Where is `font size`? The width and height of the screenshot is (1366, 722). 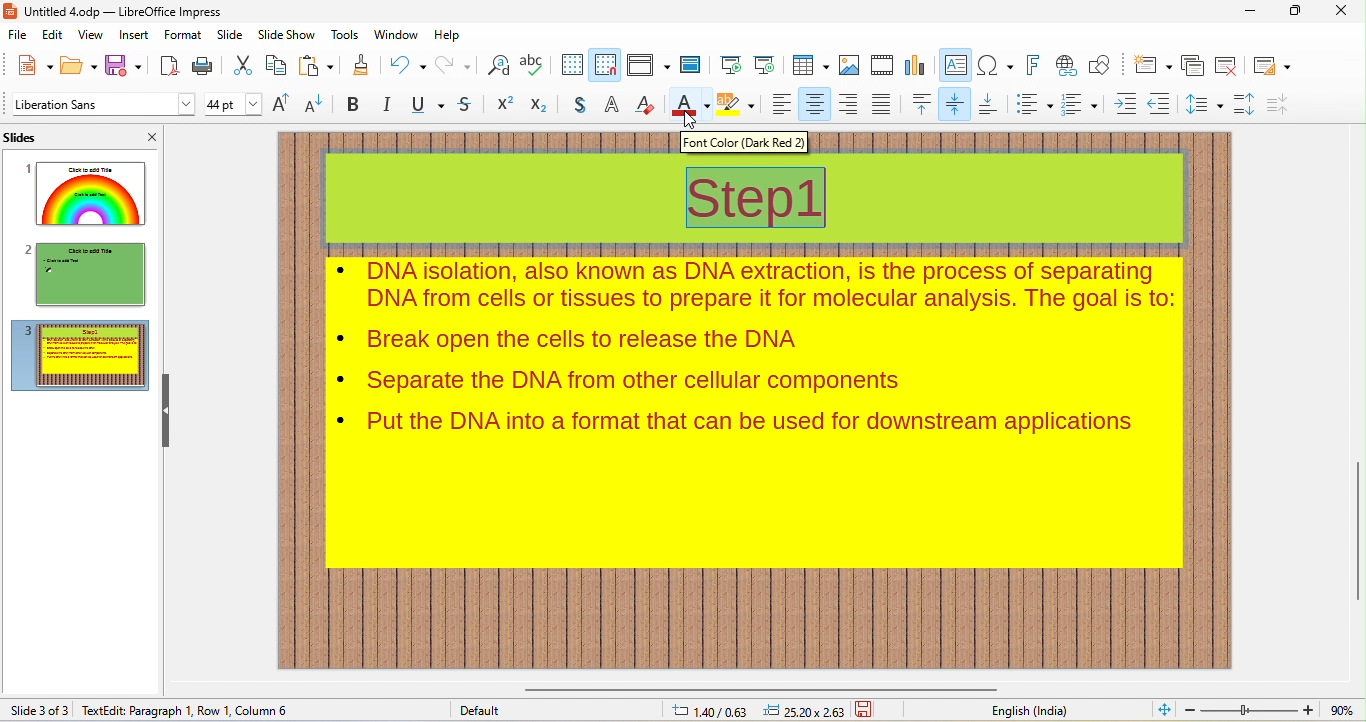 font size is located at coordinates (233, 104).